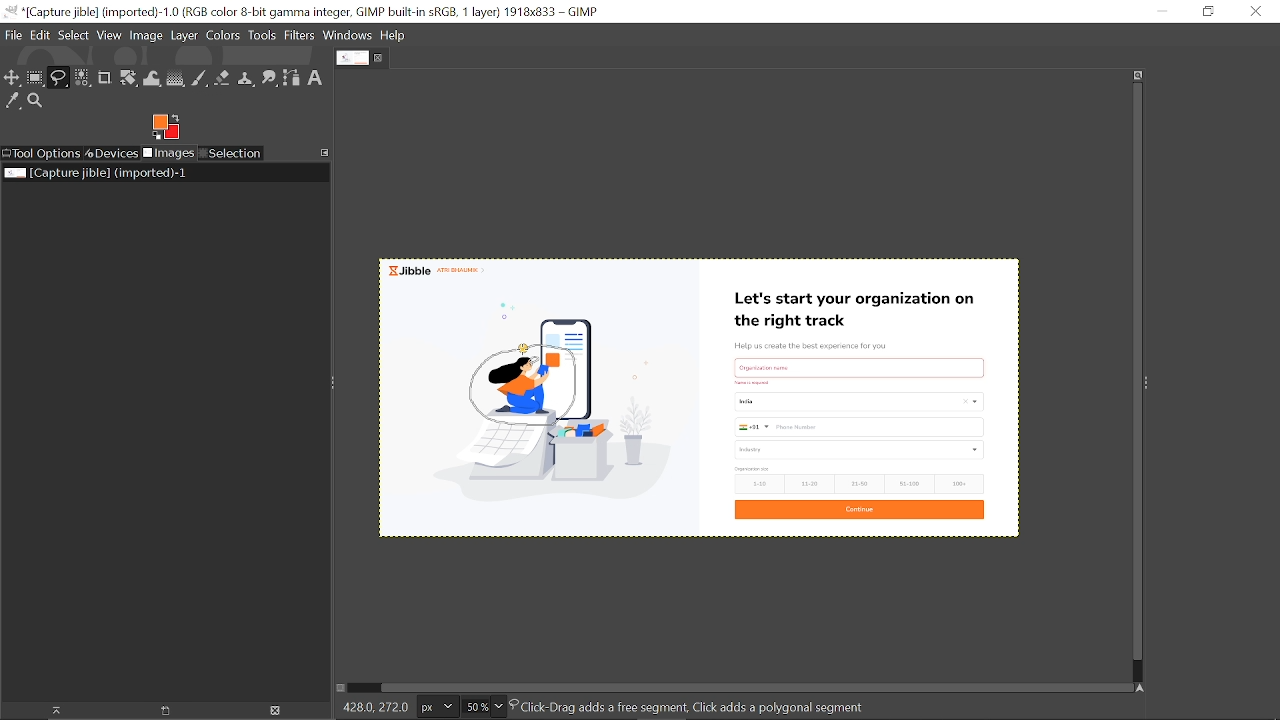 This screenshot has height=720, width=1280. I want to click on Current window, so click(304, 12).